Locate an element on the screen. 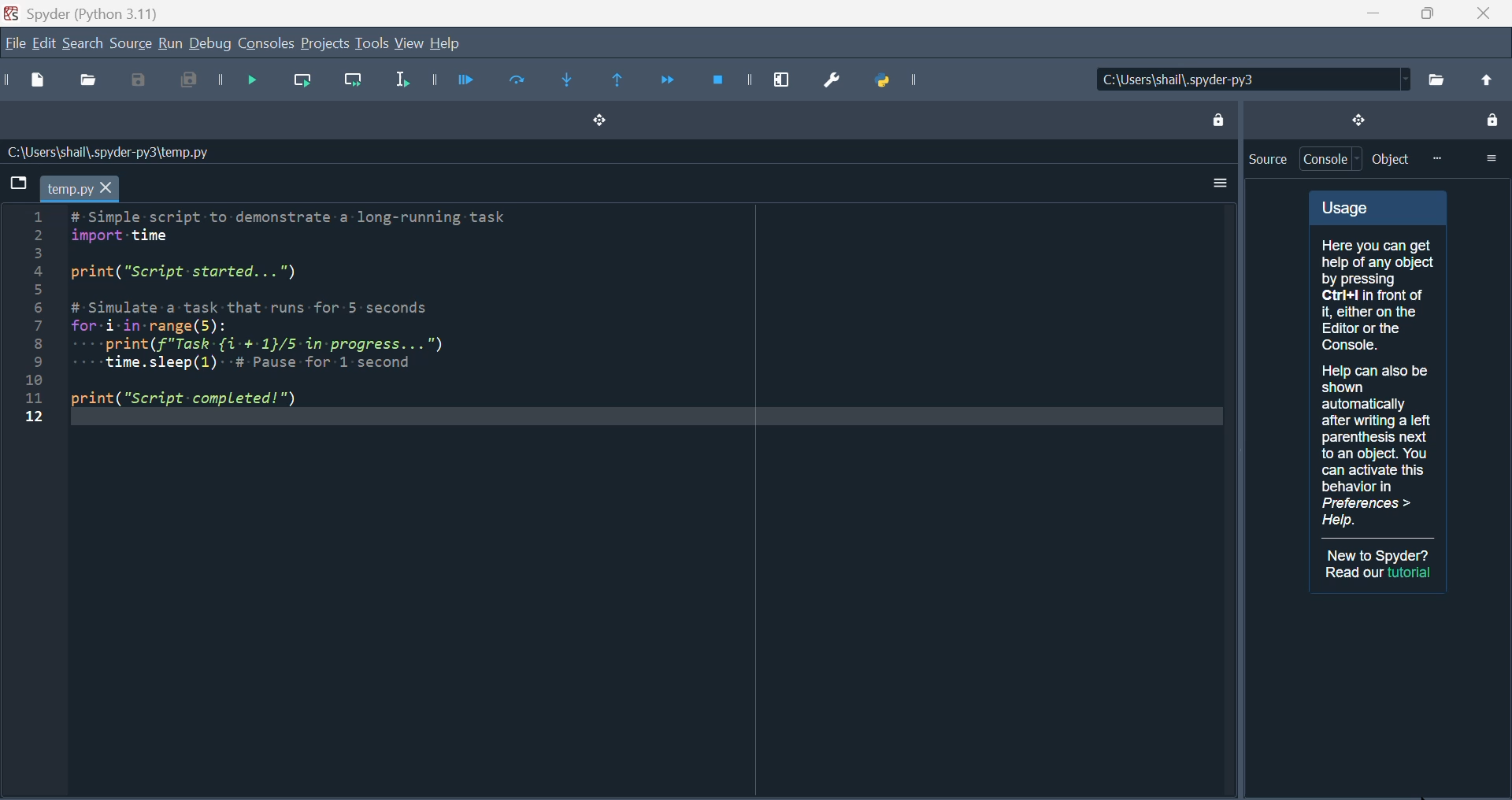 The height and width of the screenshot is (800, 1512). Object is located at coordinates (1392, 159).